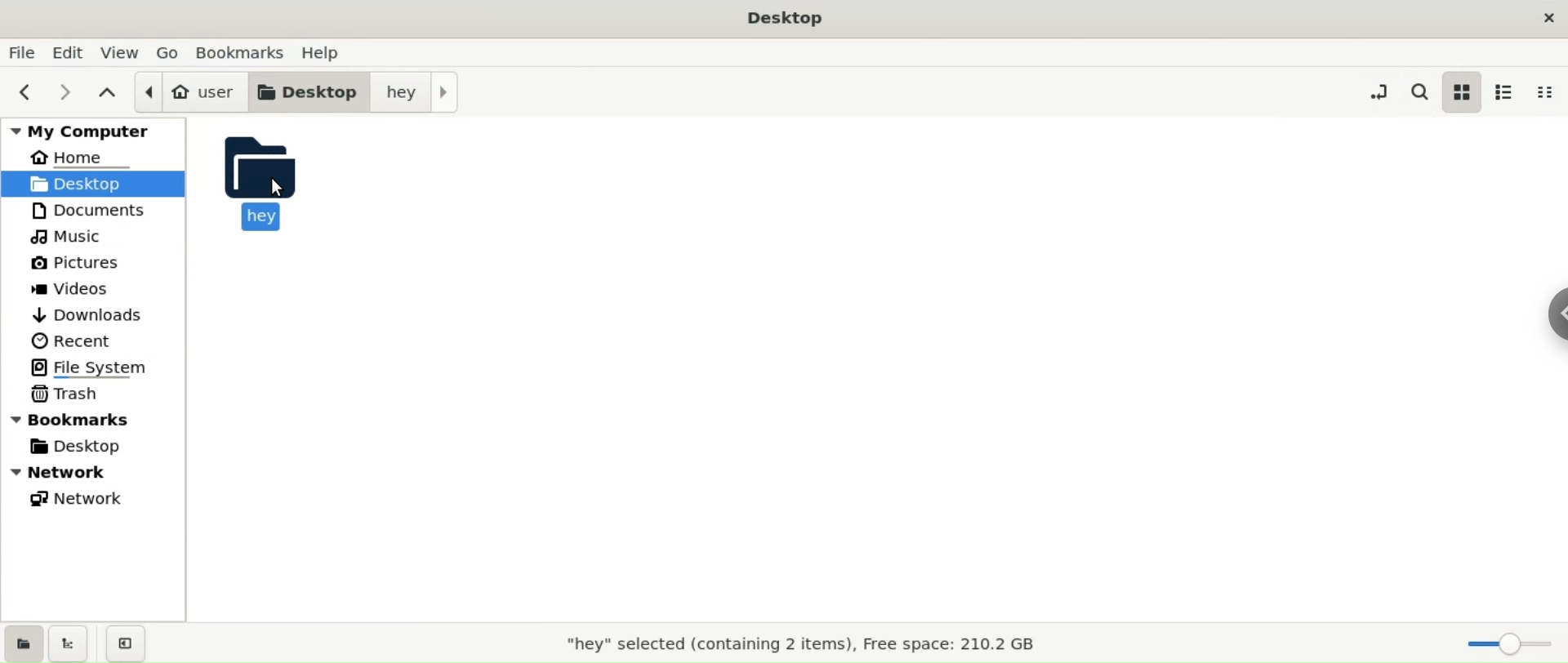 This screenshot has width=1568, height=663. What do you see at coordinates (91, 370) in the screenshot?
I see `file system` at bounding box center [91, 370].